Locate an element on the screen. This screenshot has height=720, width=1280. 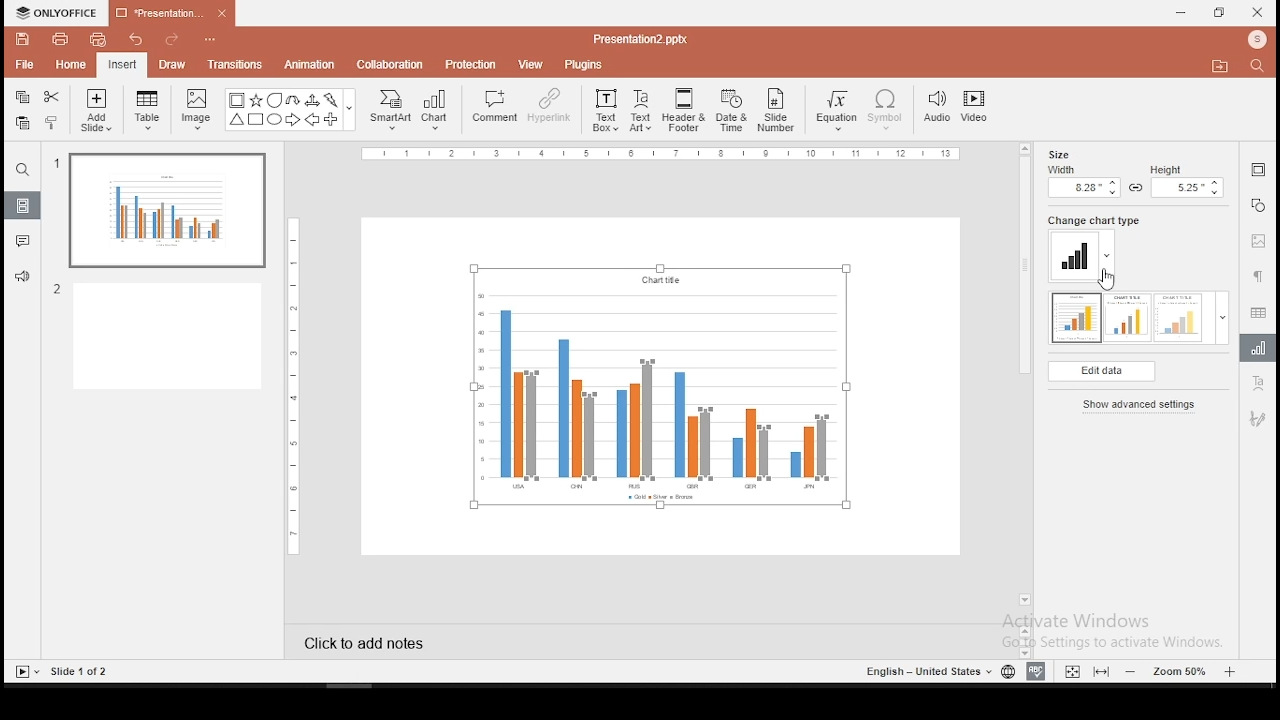
home is located at coordinates (72, 65).